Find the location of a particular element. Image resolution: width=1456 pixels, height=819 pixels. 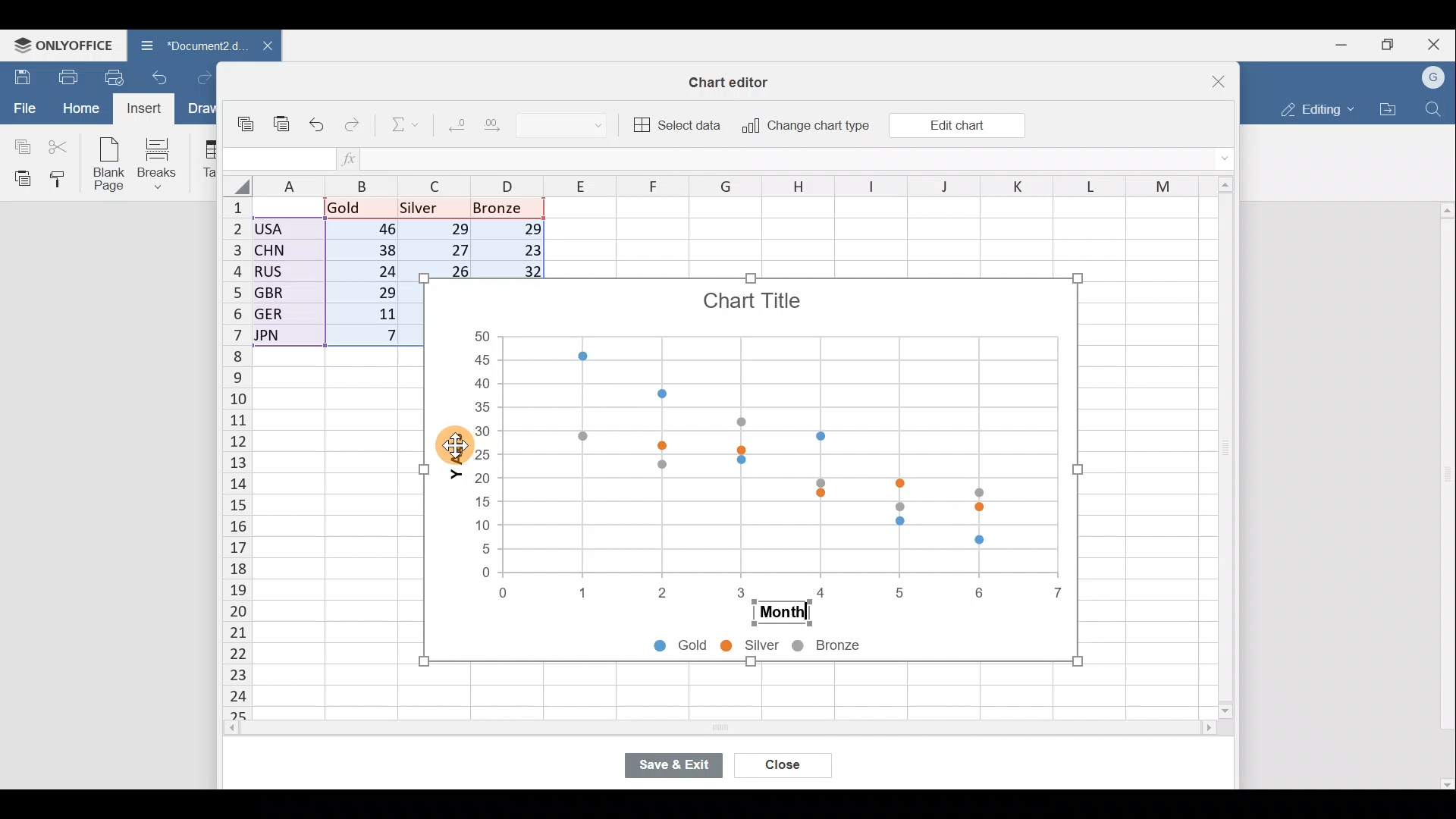

Chart legends is located at coordinates (781, 648).